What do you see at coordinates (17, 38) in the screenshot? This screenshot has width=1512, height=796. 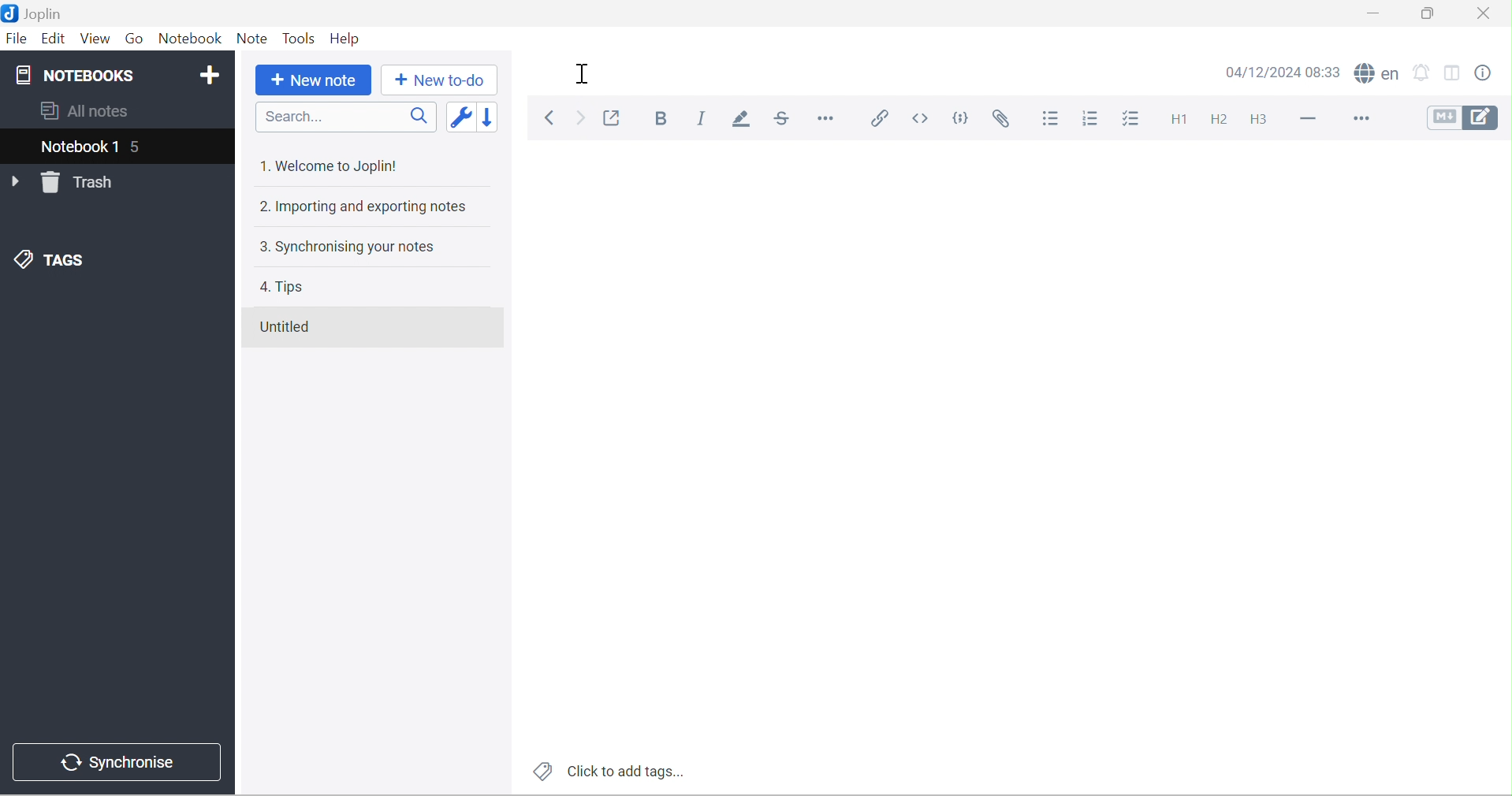 I see `File` at bounding box center [17, 38].